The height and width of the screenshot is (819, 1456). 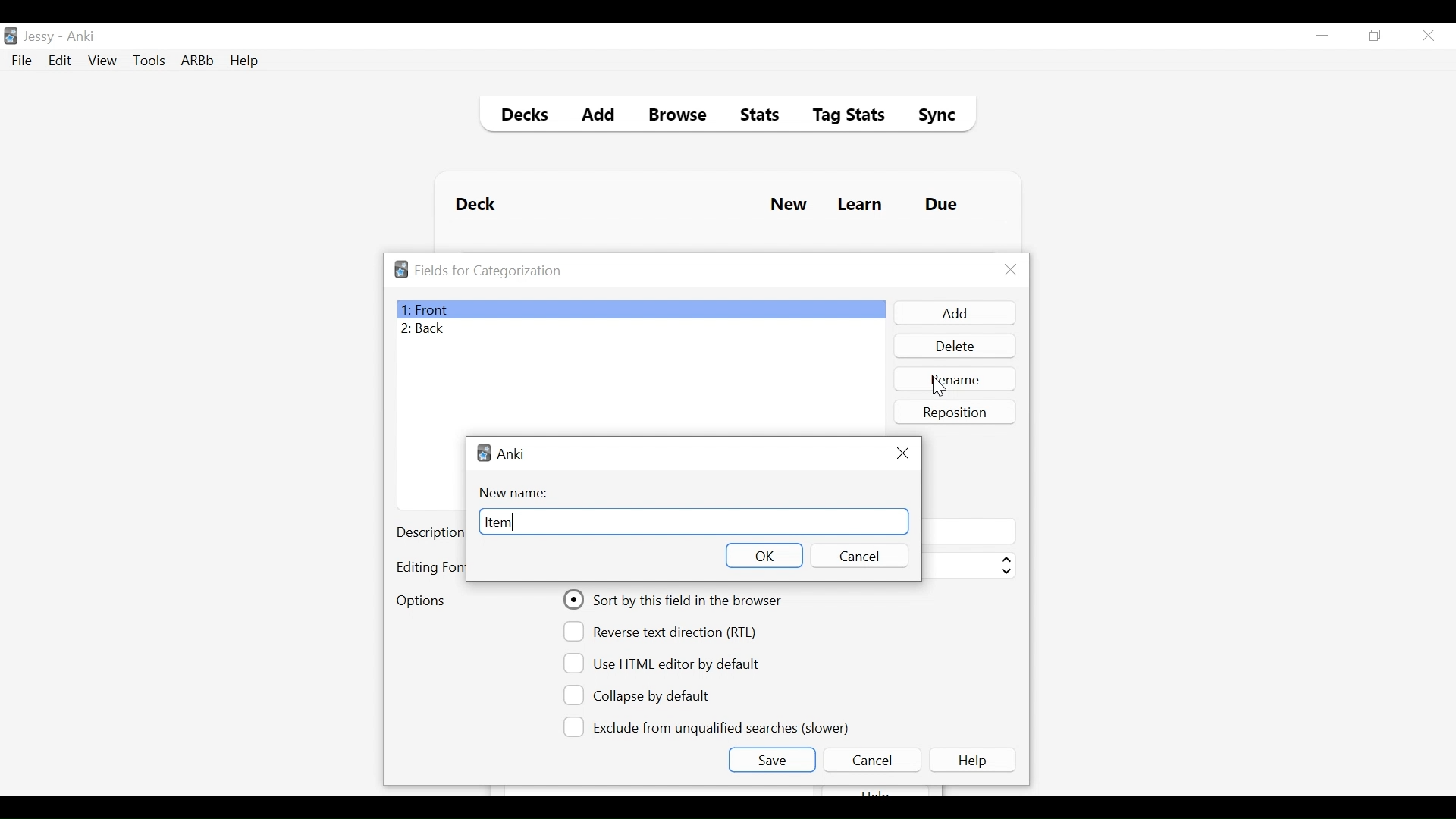 What do you see at coordinates (840, 117) in the screenshot?
I see `Tag Stats` at bounding box center [840, 117].